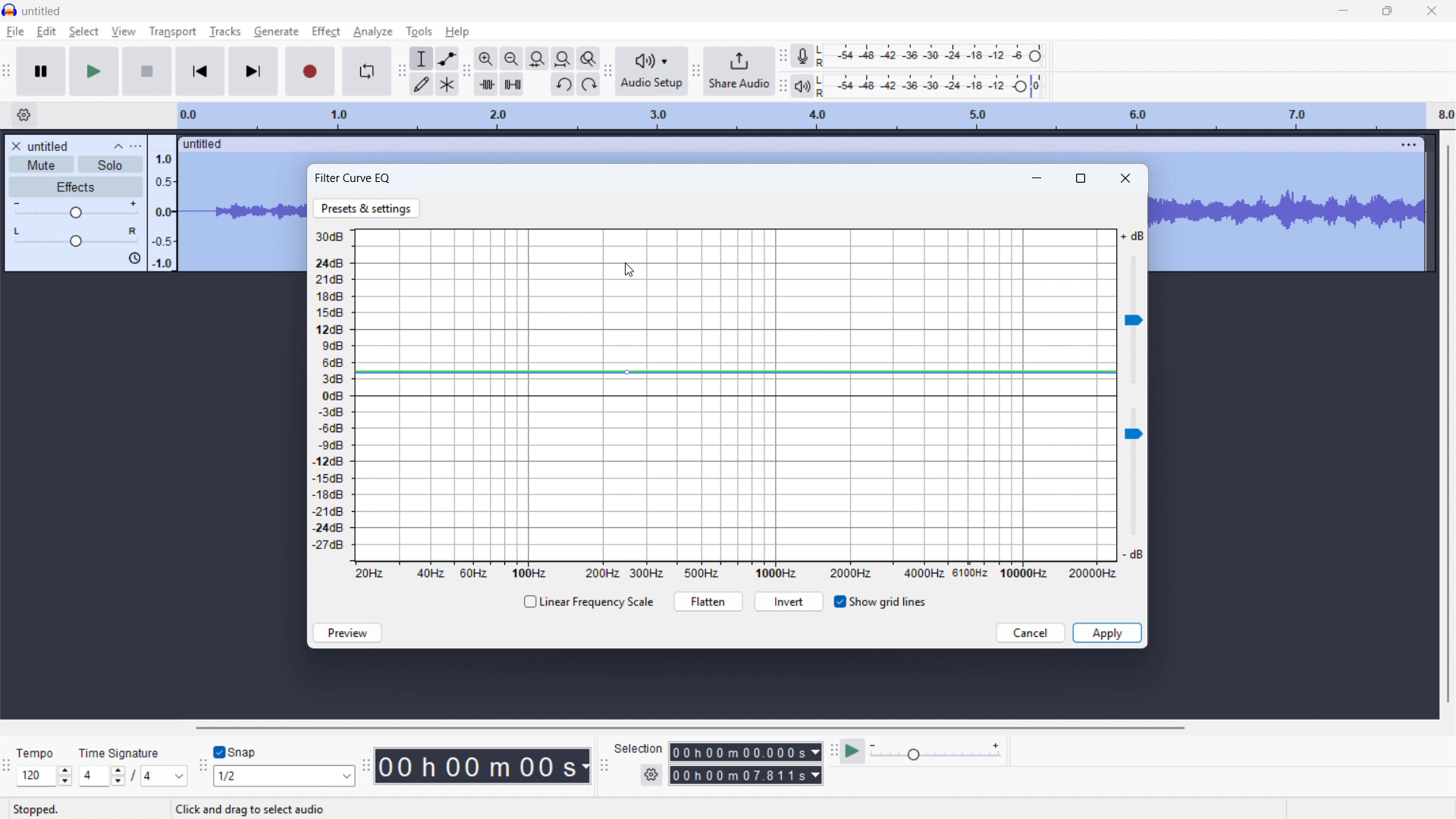 The image size is (1456, 819). What do you see at coordinates (447, 58) in the screenshot?
I see `envelope tool` at bounding box center [447, 58].